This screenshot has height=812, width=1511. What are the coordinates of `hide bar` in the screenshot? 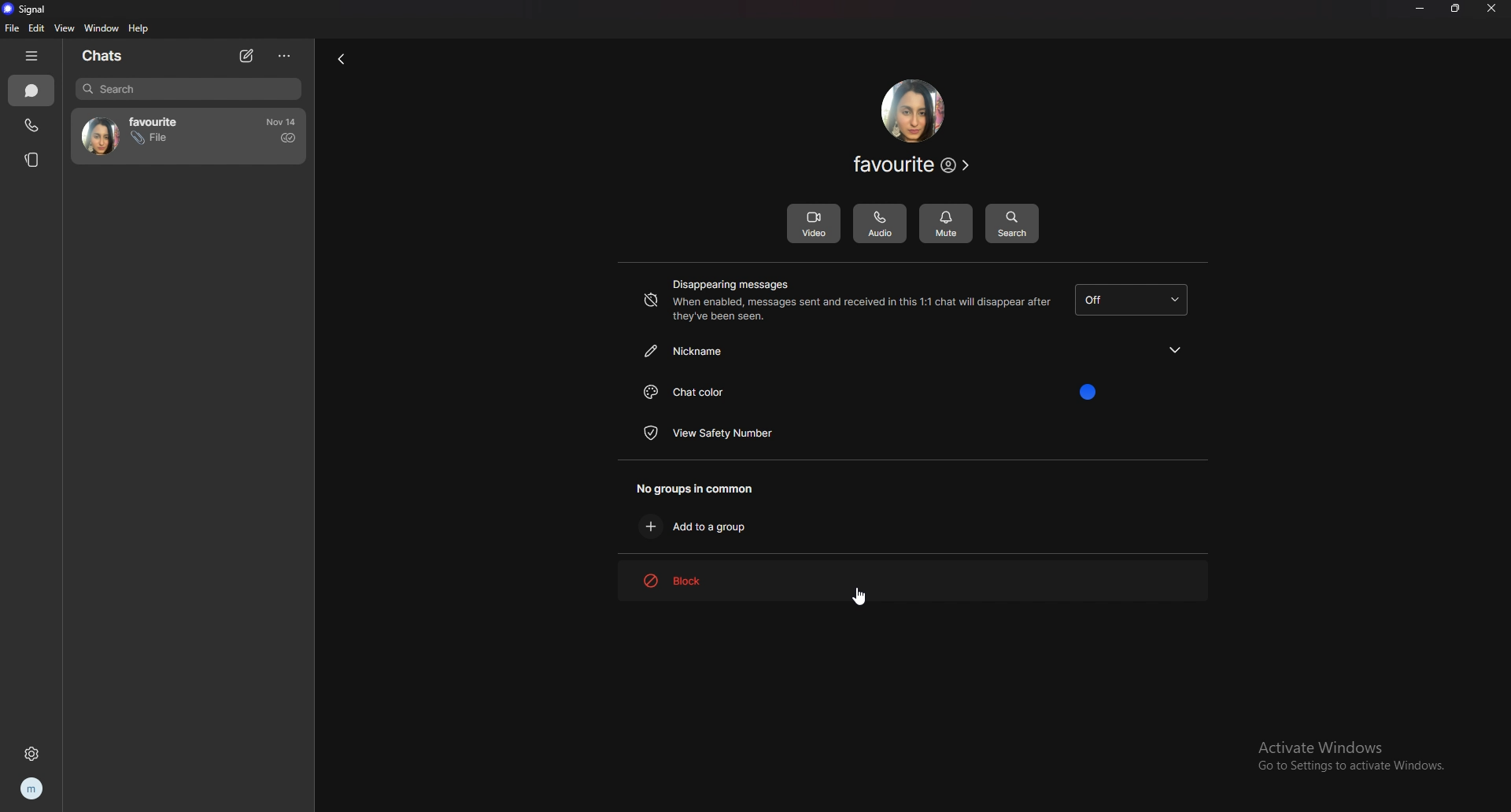 It's located at (35, 55).